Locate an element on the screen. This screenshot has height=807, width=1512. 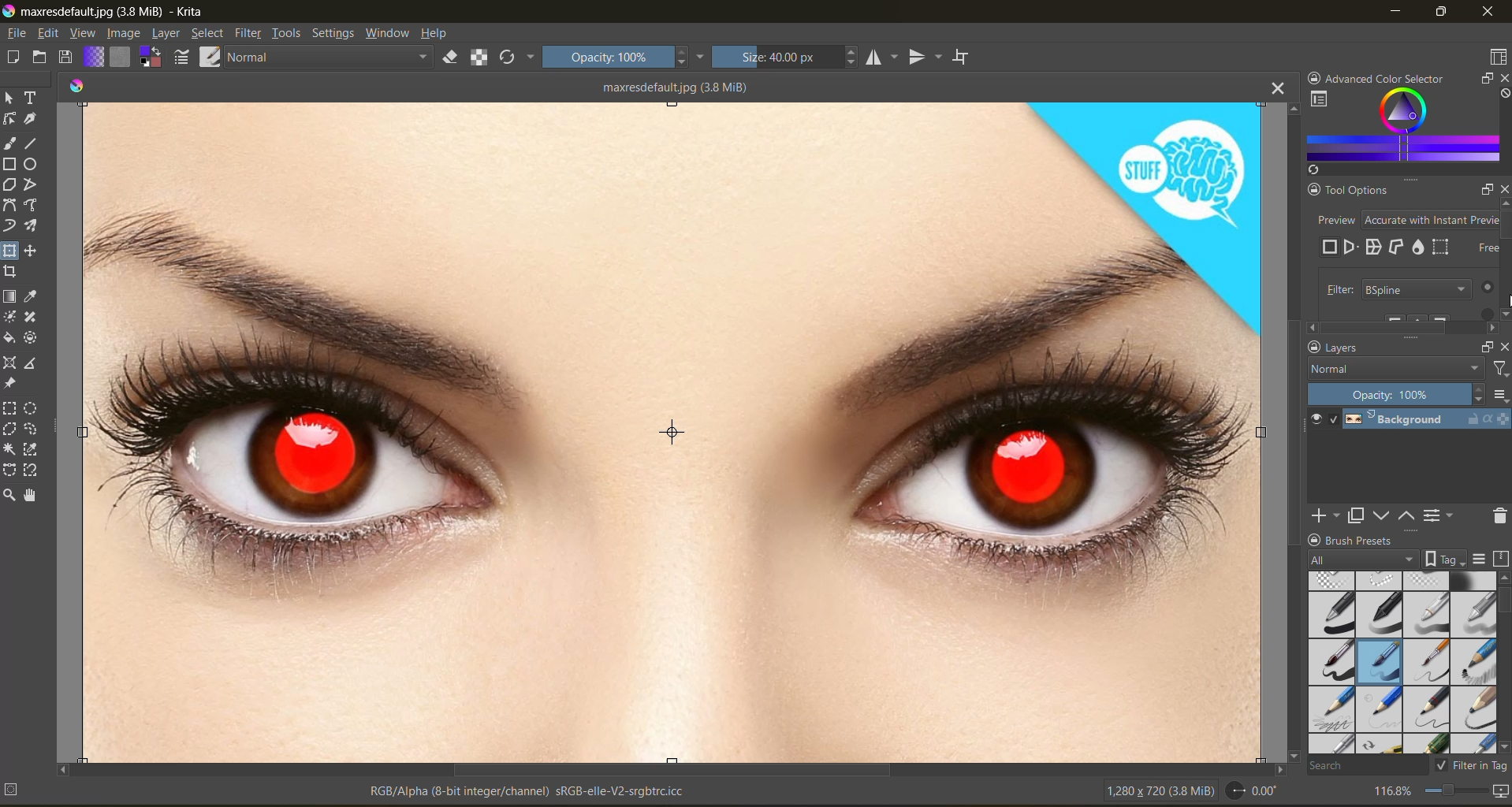
choose workspace is located at coordinates (1498, 57).